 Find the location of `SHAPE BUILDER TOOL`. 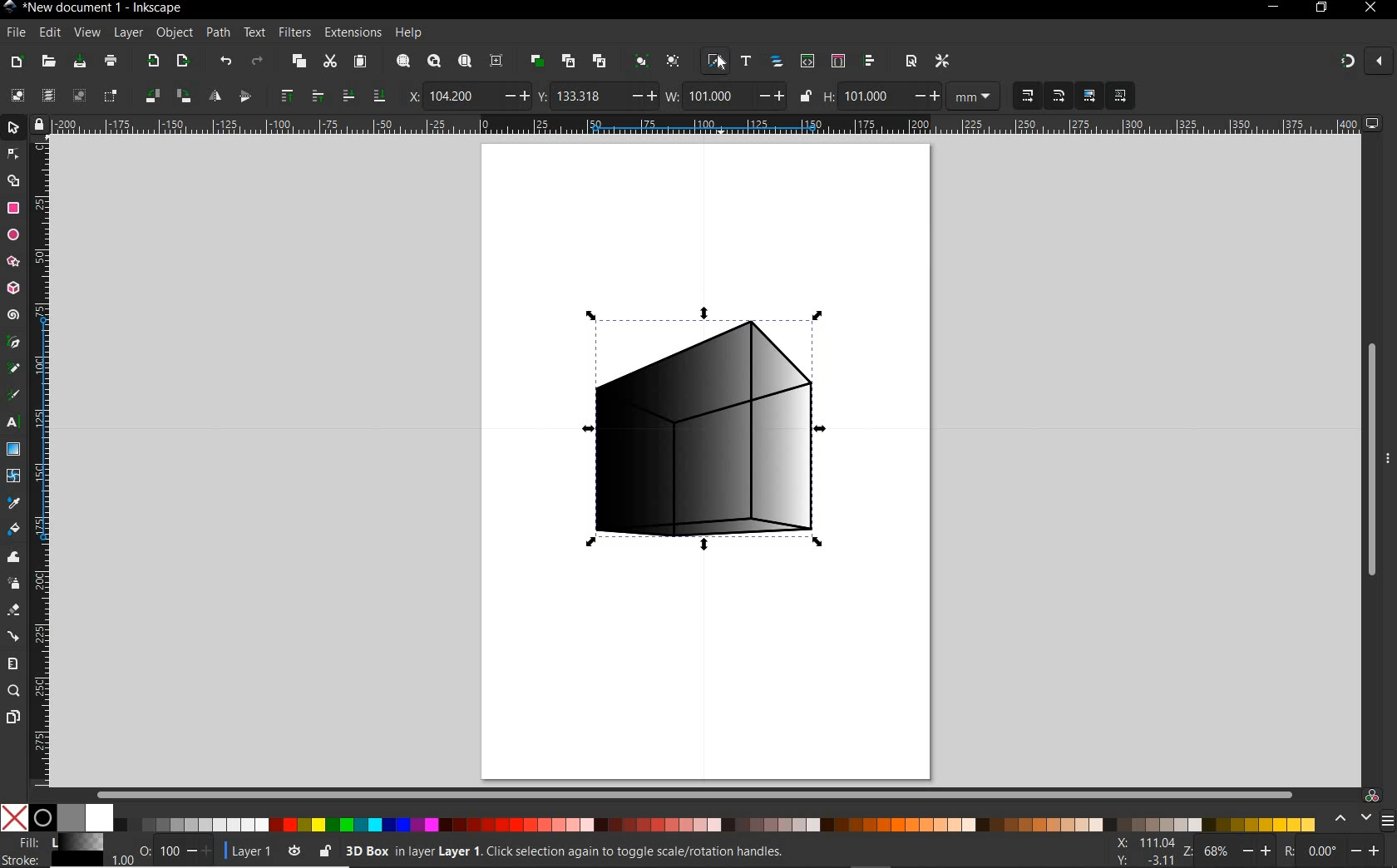

SHAPE BUILDER TOOL is located at coordinates (13, 180).